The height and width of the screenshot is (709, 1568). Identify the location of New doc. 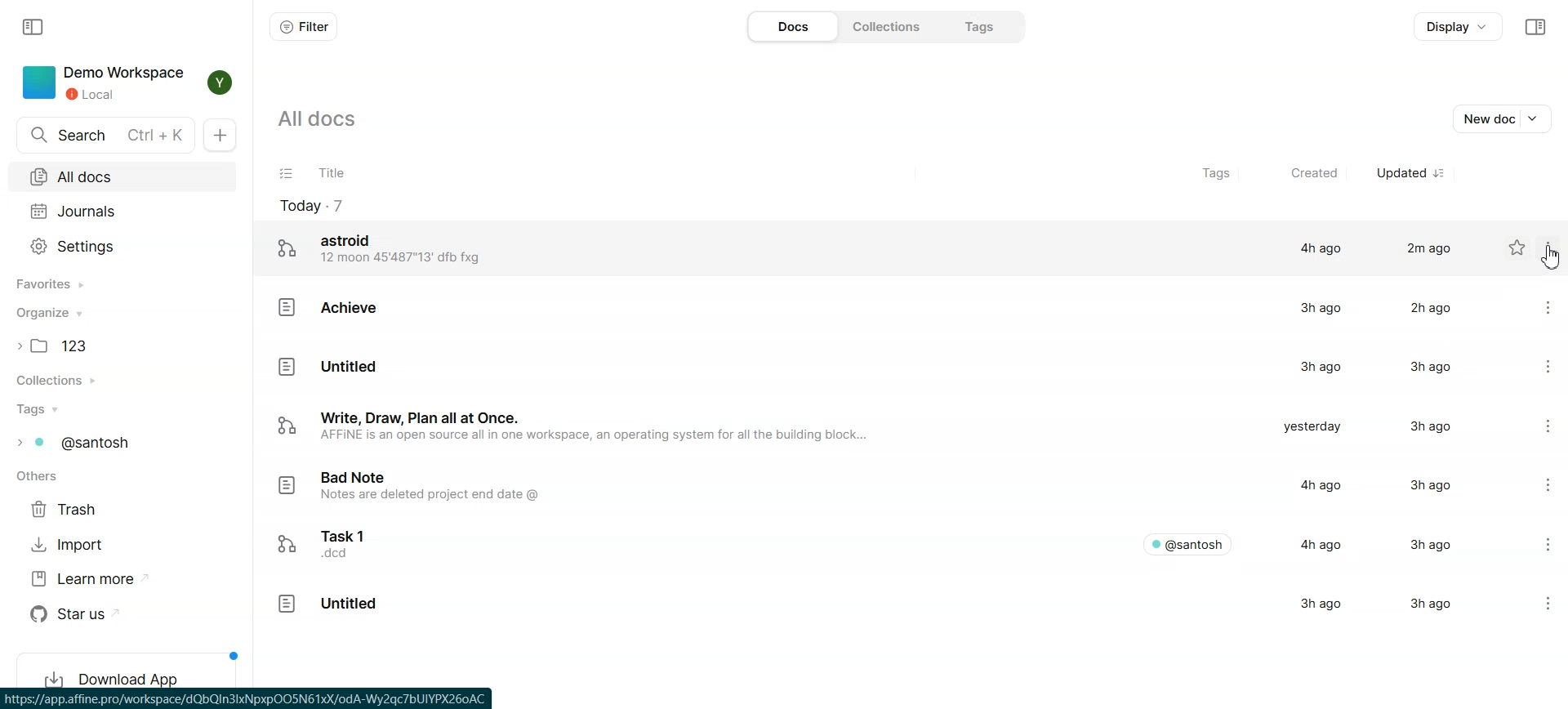
(1487, 118).